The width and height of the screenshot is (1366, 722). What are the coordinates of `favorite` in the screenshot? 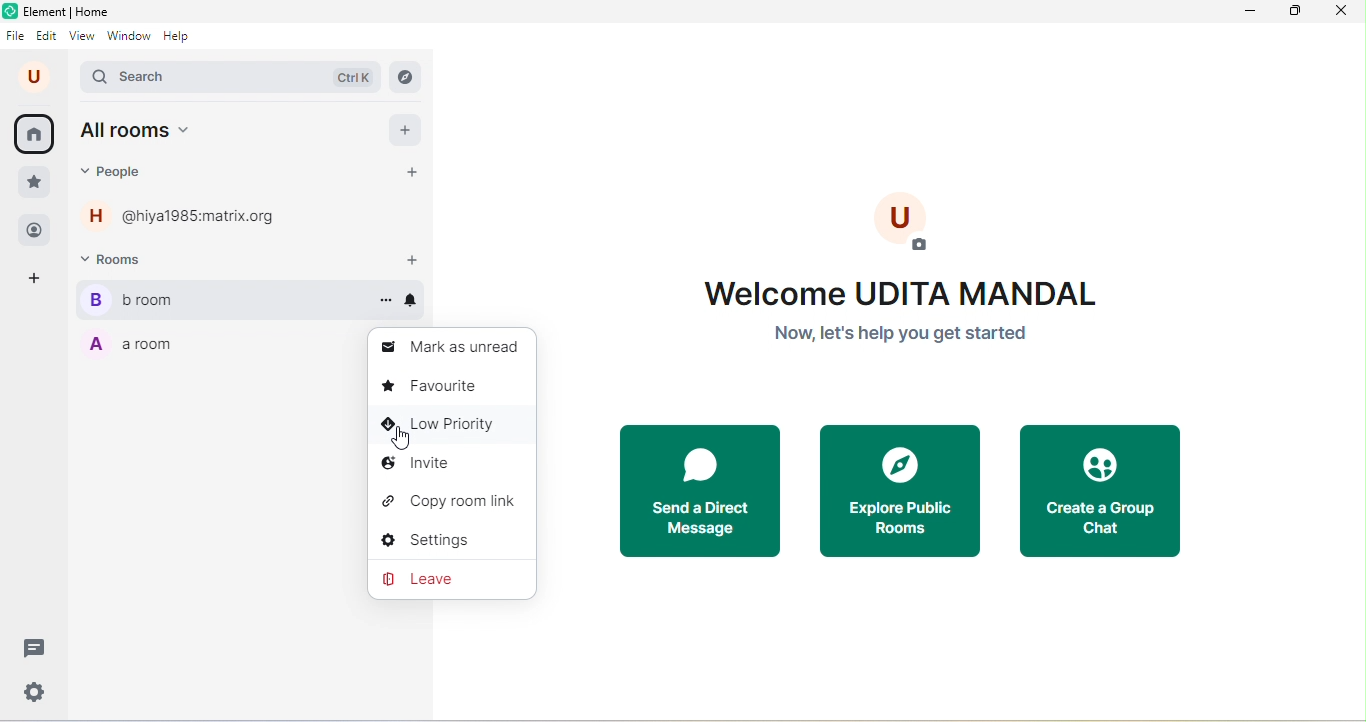 It's located at (436, 388).